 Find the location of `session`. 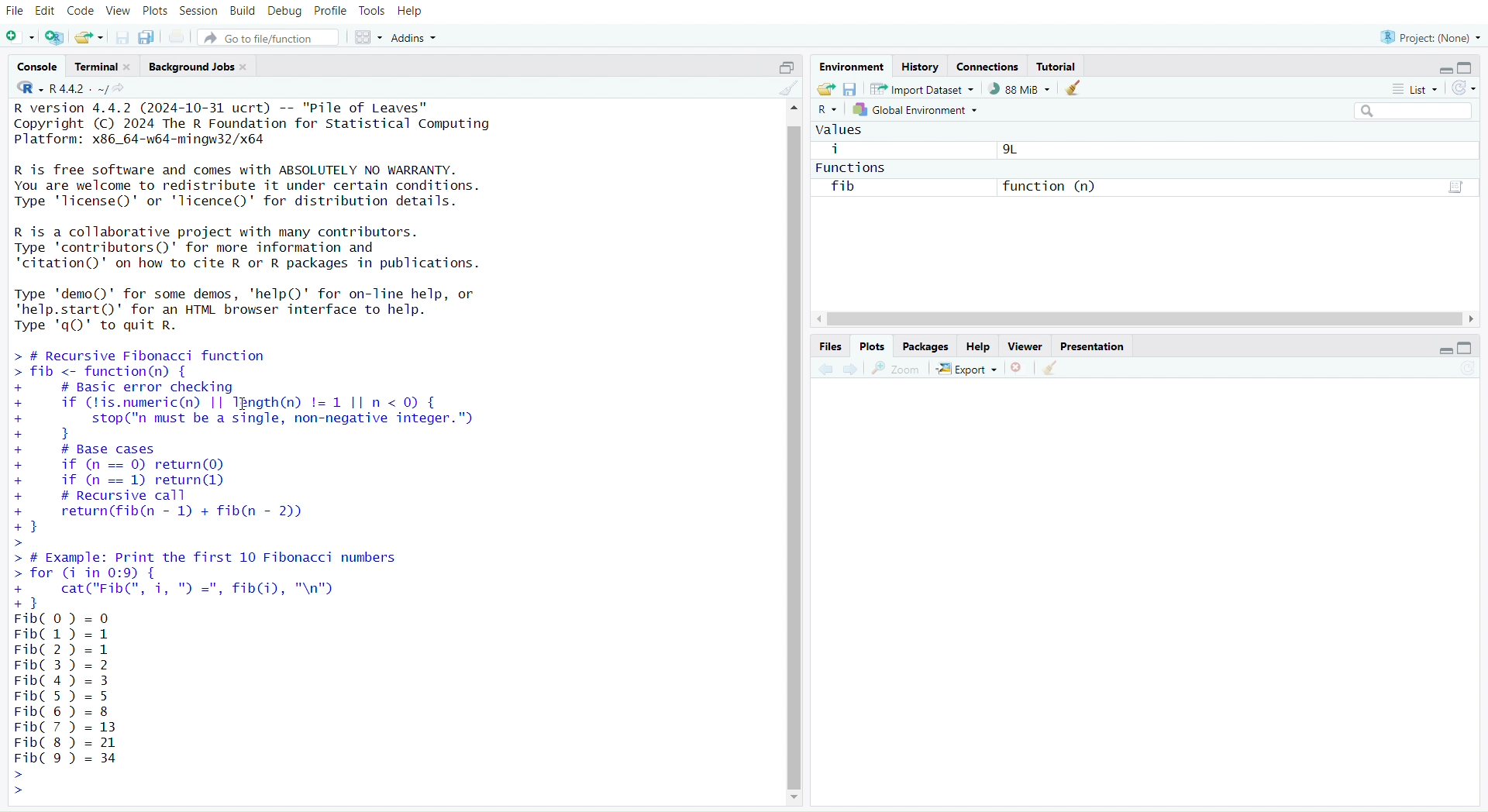

session is located at coordinates (198, 12).